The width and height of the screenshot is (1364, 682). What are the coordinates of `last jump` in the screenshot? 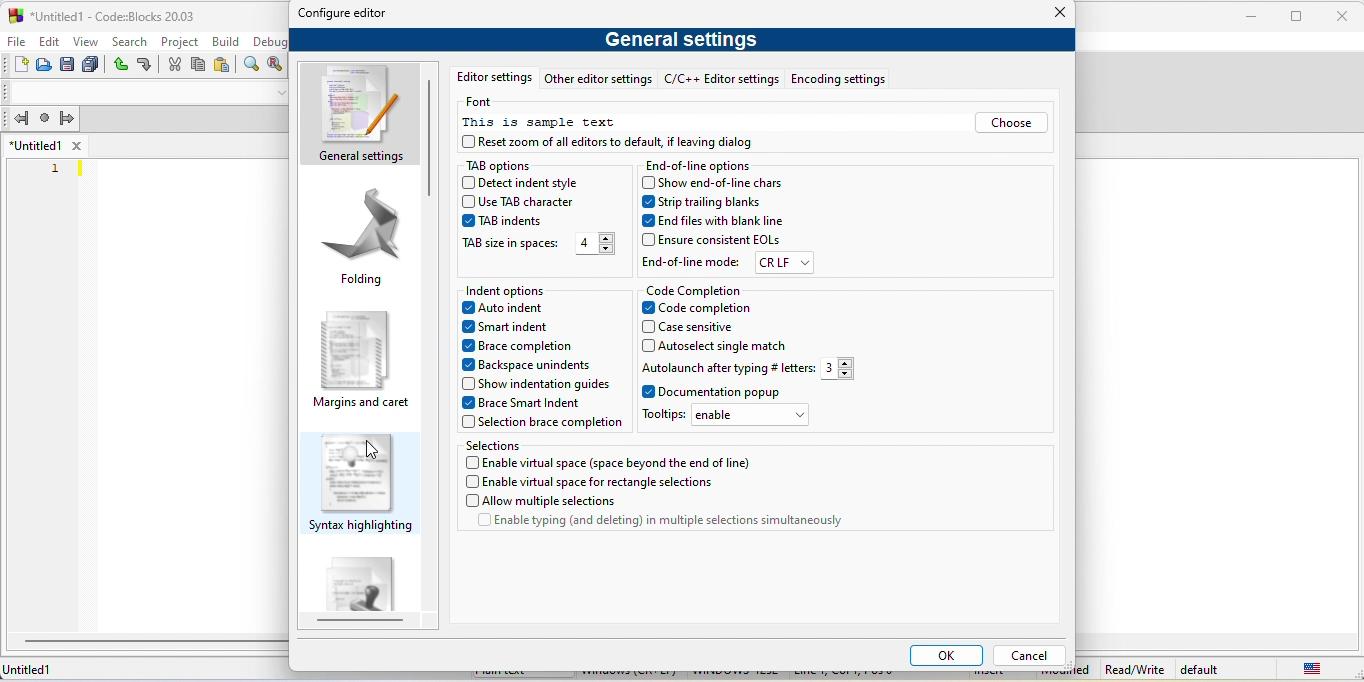 It's located at (45, 117).